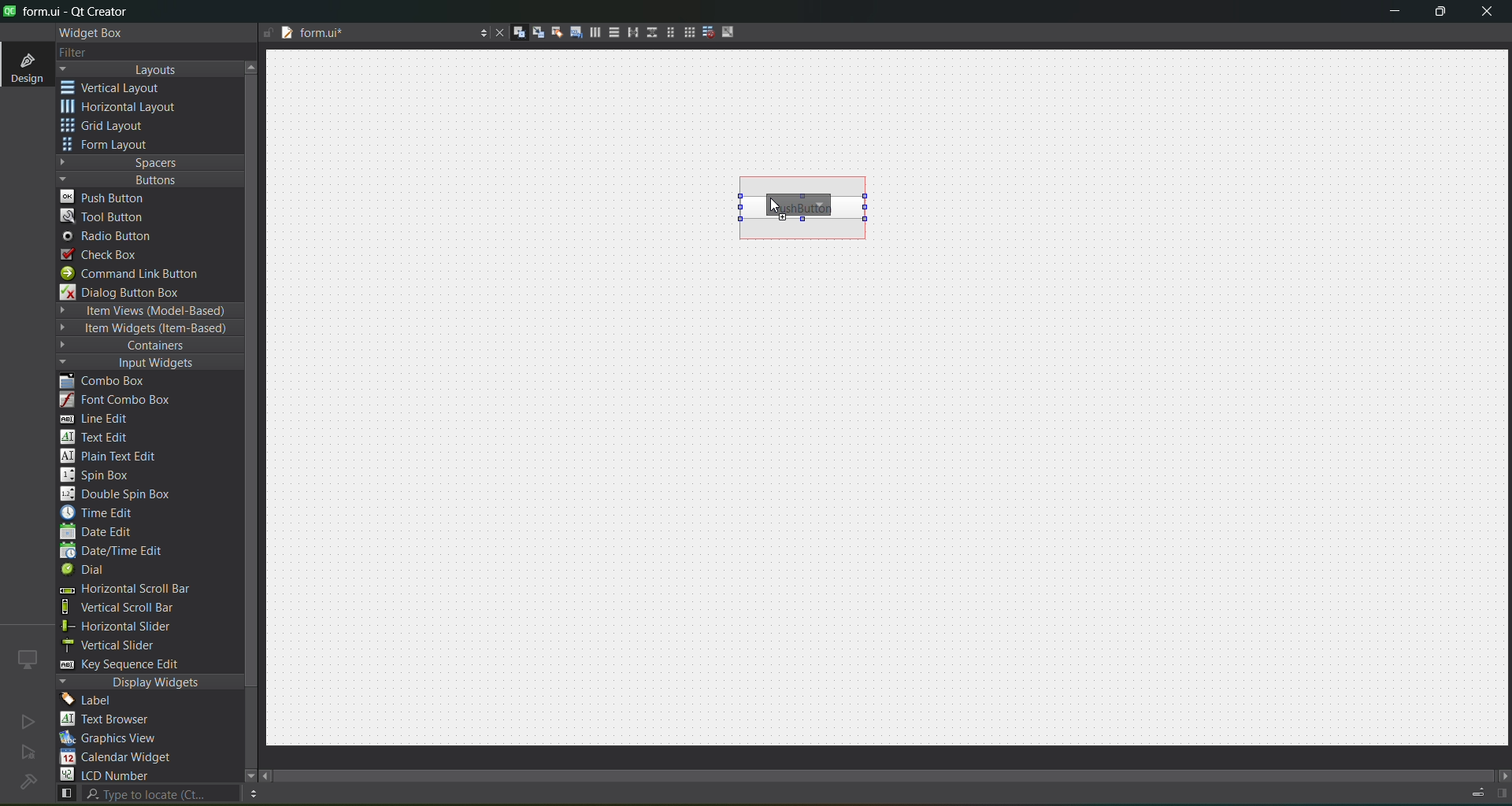 The image size is (1512, 806). I want to click on minimize, so click(1395, 14).